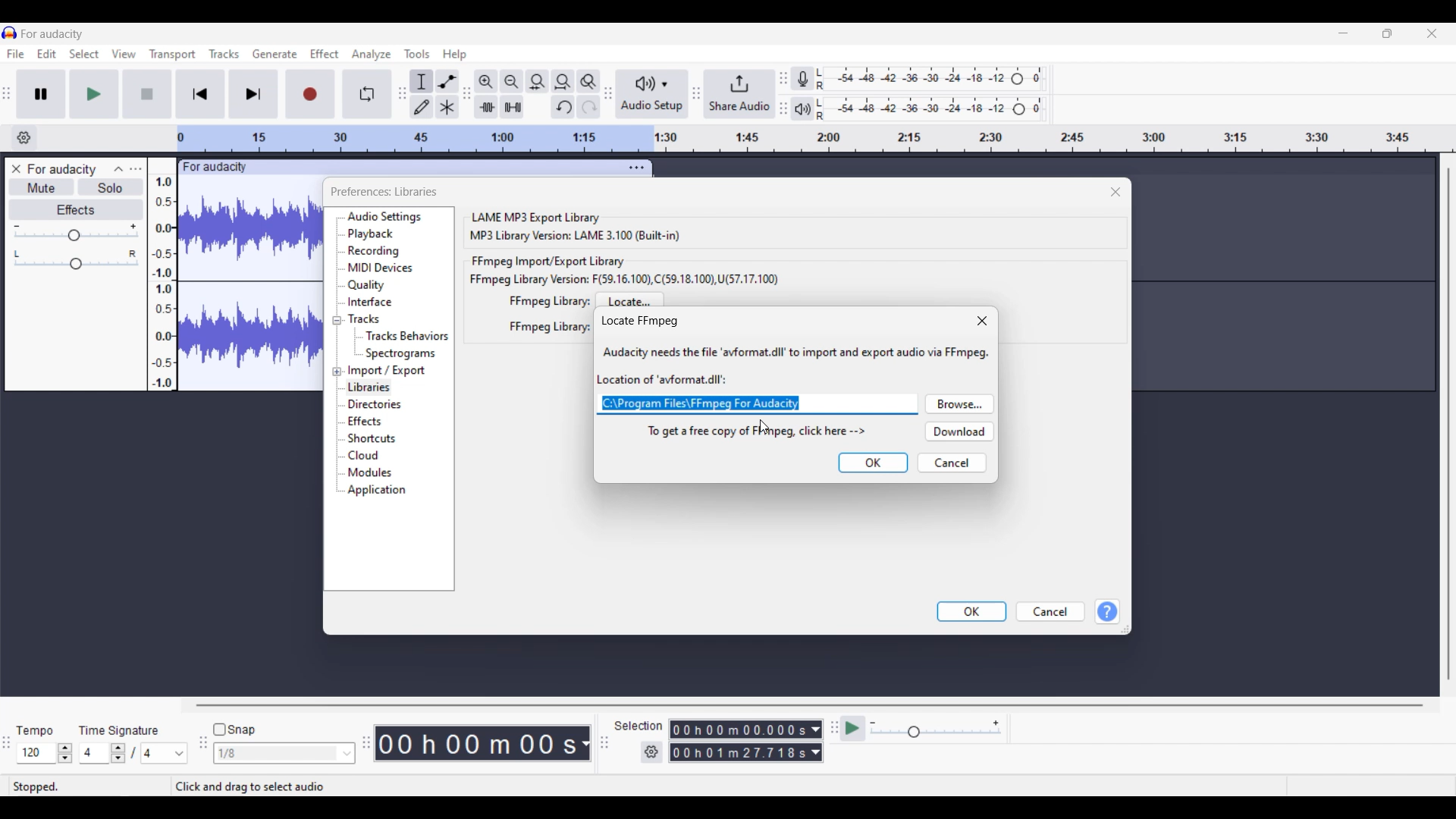 The height and width of the screenshot is (819, 1456). I want to click on Draw tool, so click(422, 107).